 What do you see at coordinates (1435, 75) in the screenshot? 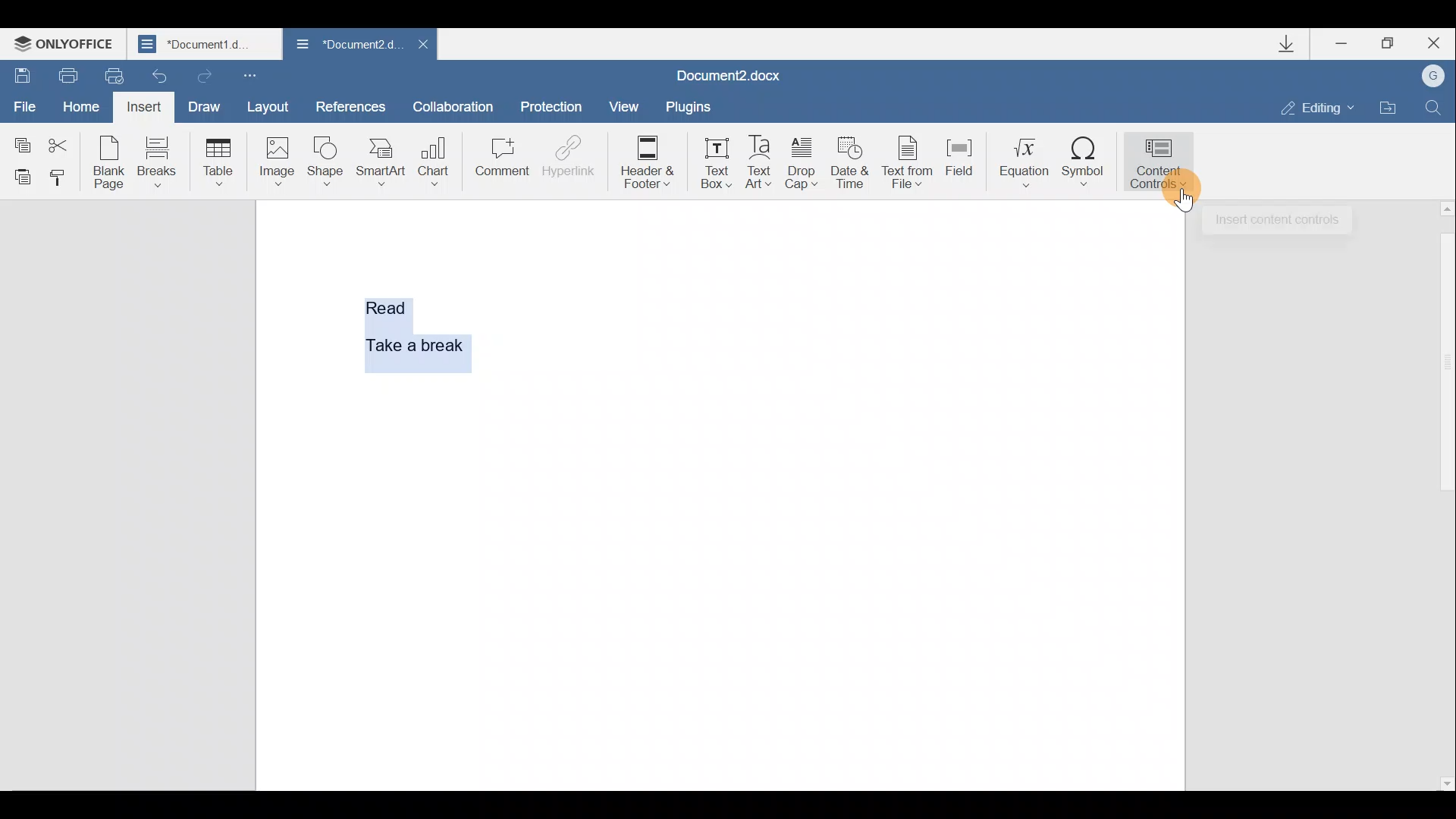
I see `G` at bounding box center [1435, 75].